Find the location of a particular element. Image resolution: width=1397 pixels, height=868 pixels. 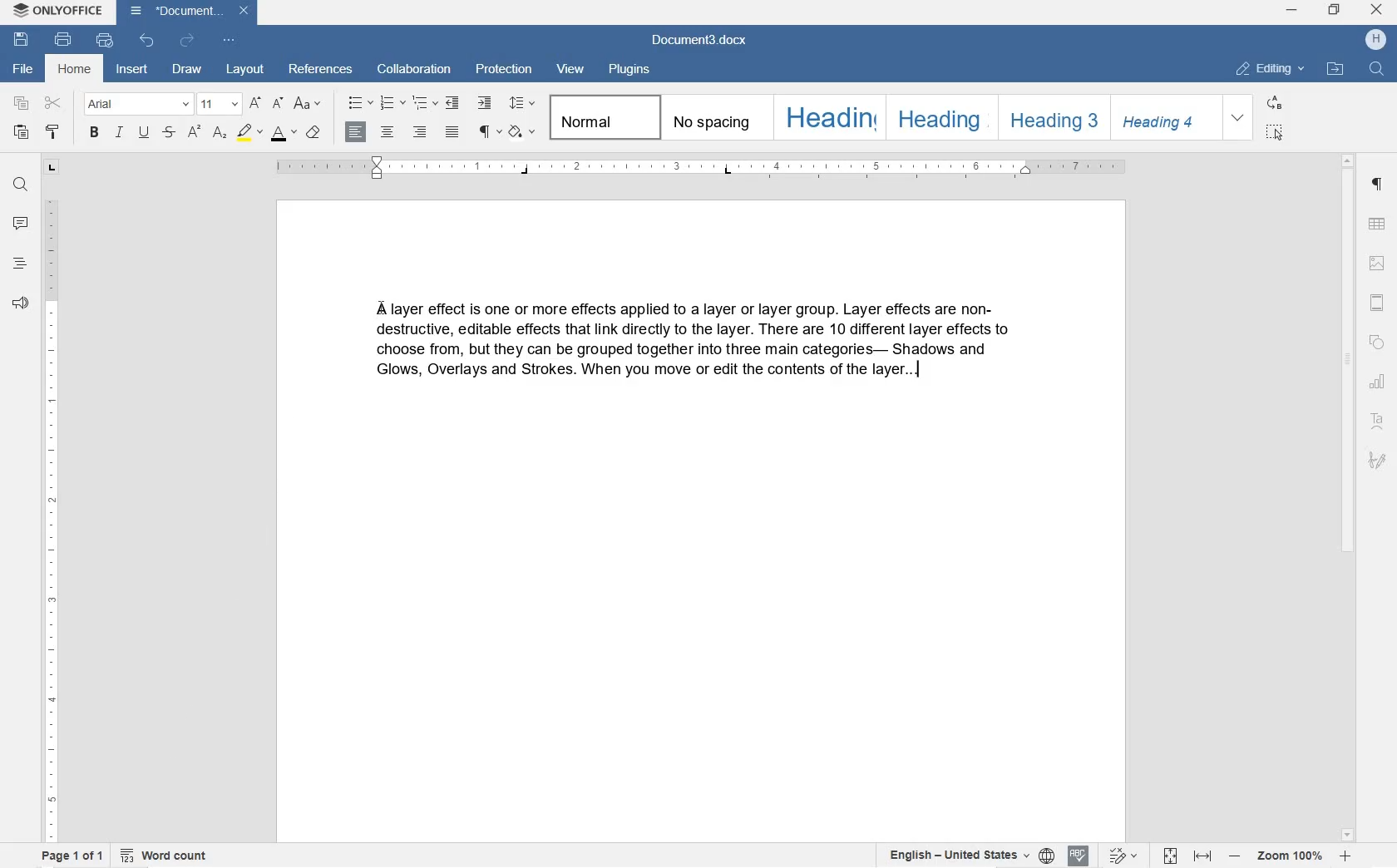

COMMENT is located at coordinates (19, 226).